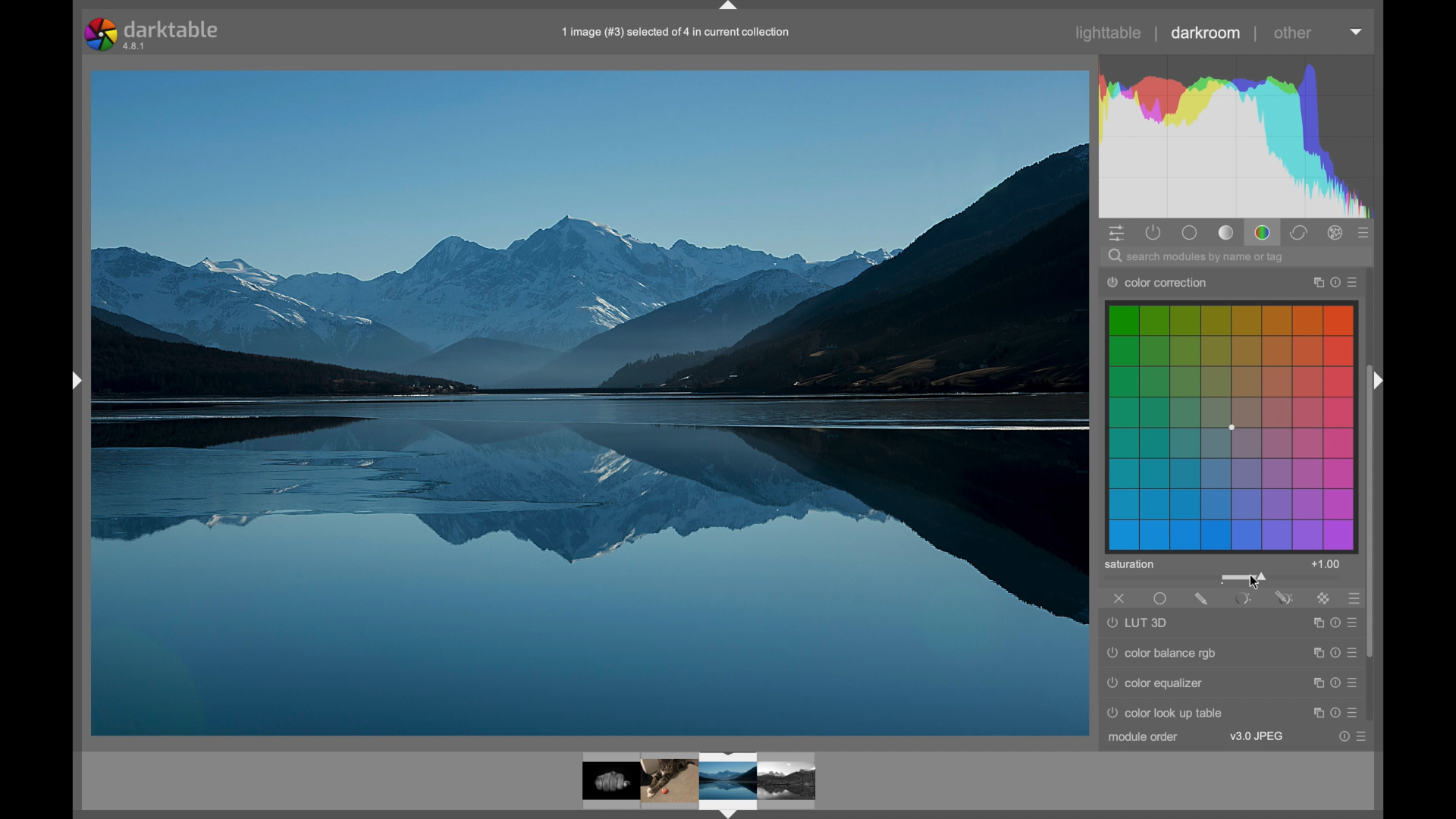 This screenshot has width=1456, height=819. Describe the element at coordinates (588, 402) in the screenshot. I see `photo preview` at that location.